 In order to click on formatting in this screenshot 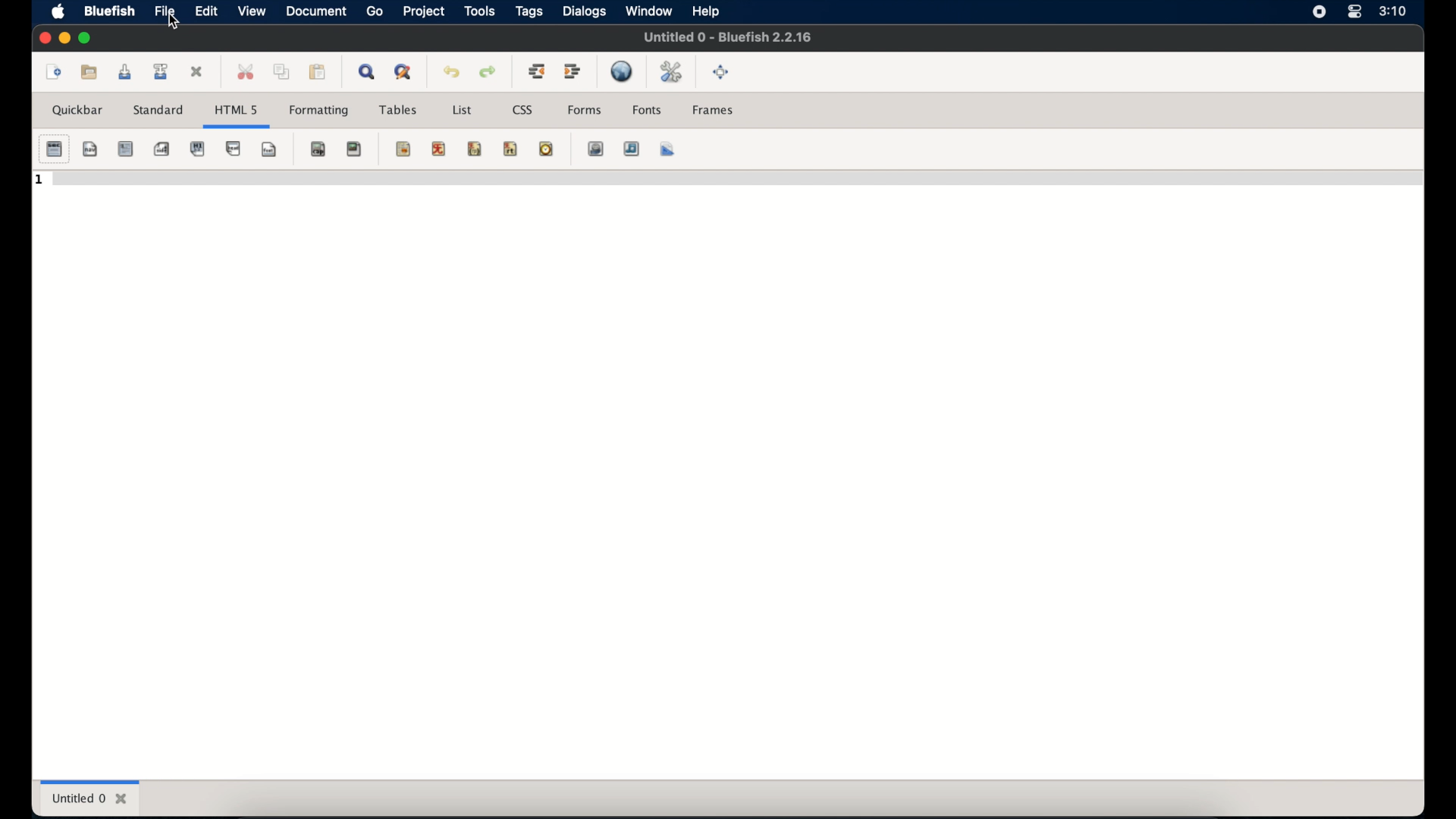, I will do `click(319, 111)`.